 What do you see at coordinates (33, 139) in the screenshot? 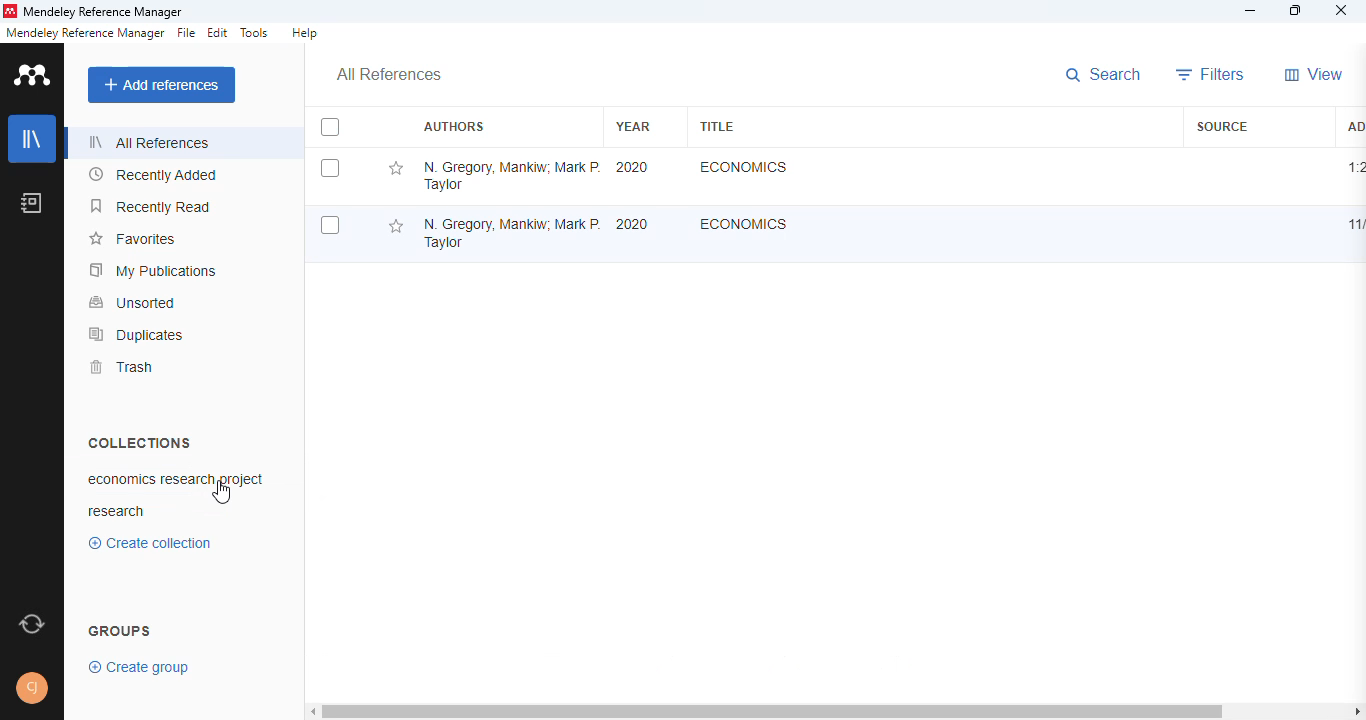
I see `library` at bounding box center [33, 139].